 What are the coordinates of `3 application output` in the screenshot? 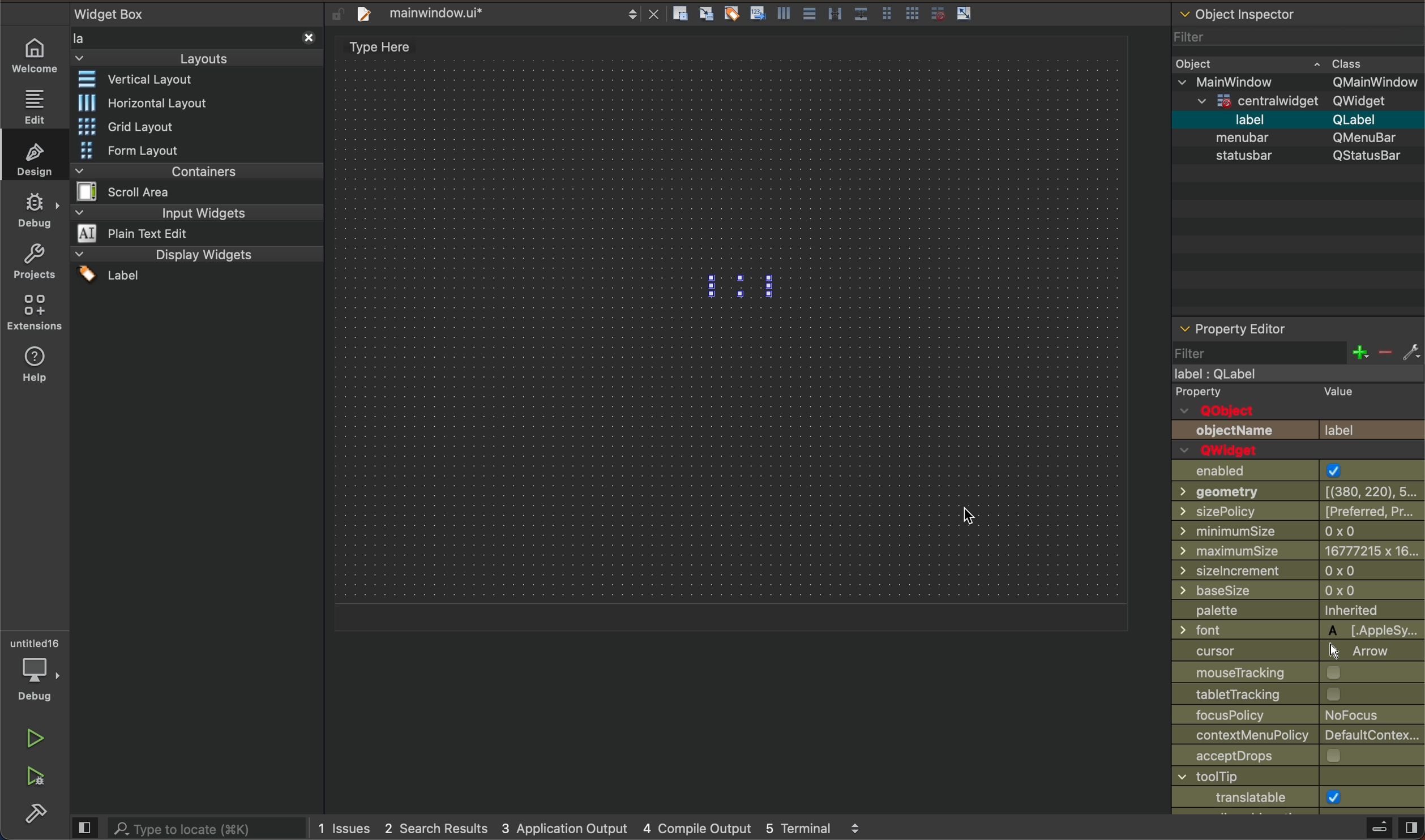 It's located at (570, 826).